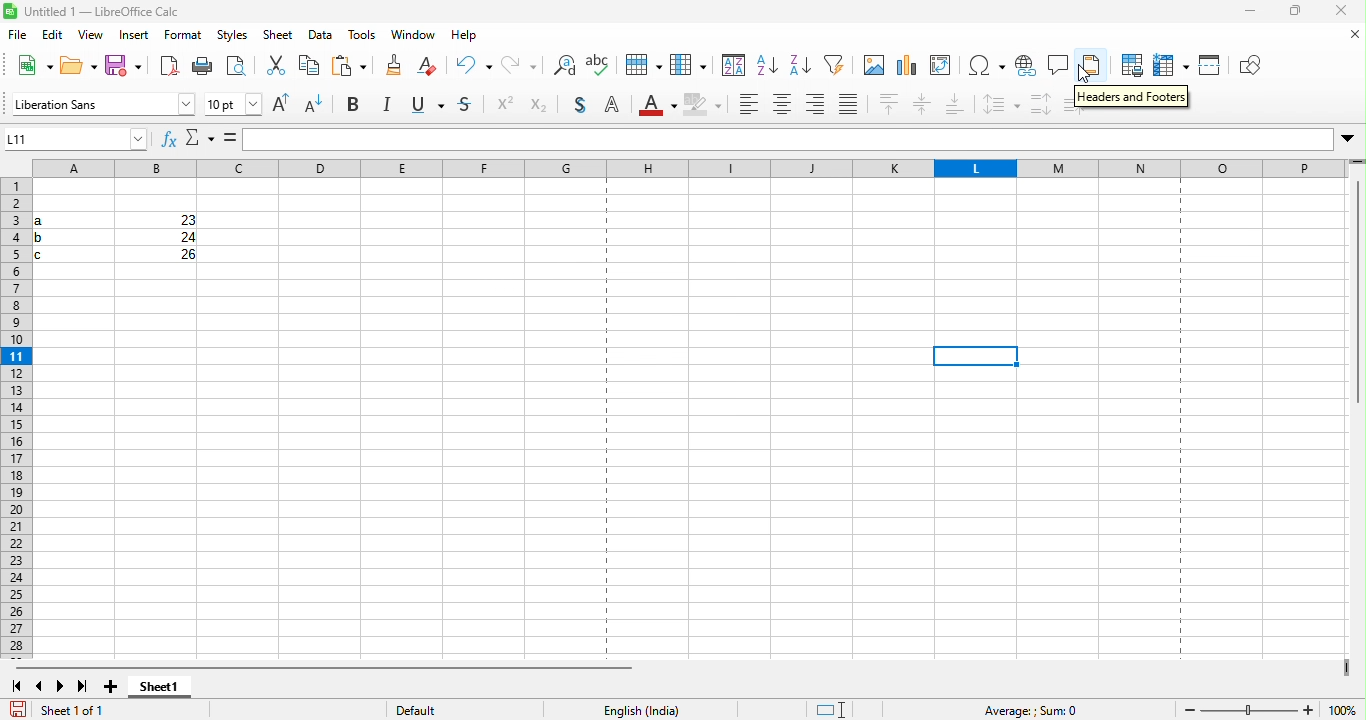 This screenshot has height=720, width=1366. What do you see at coordinates (323, 662) in the screenshot?
I see `horizontal scroll bar` at bounding box center [323, 662].